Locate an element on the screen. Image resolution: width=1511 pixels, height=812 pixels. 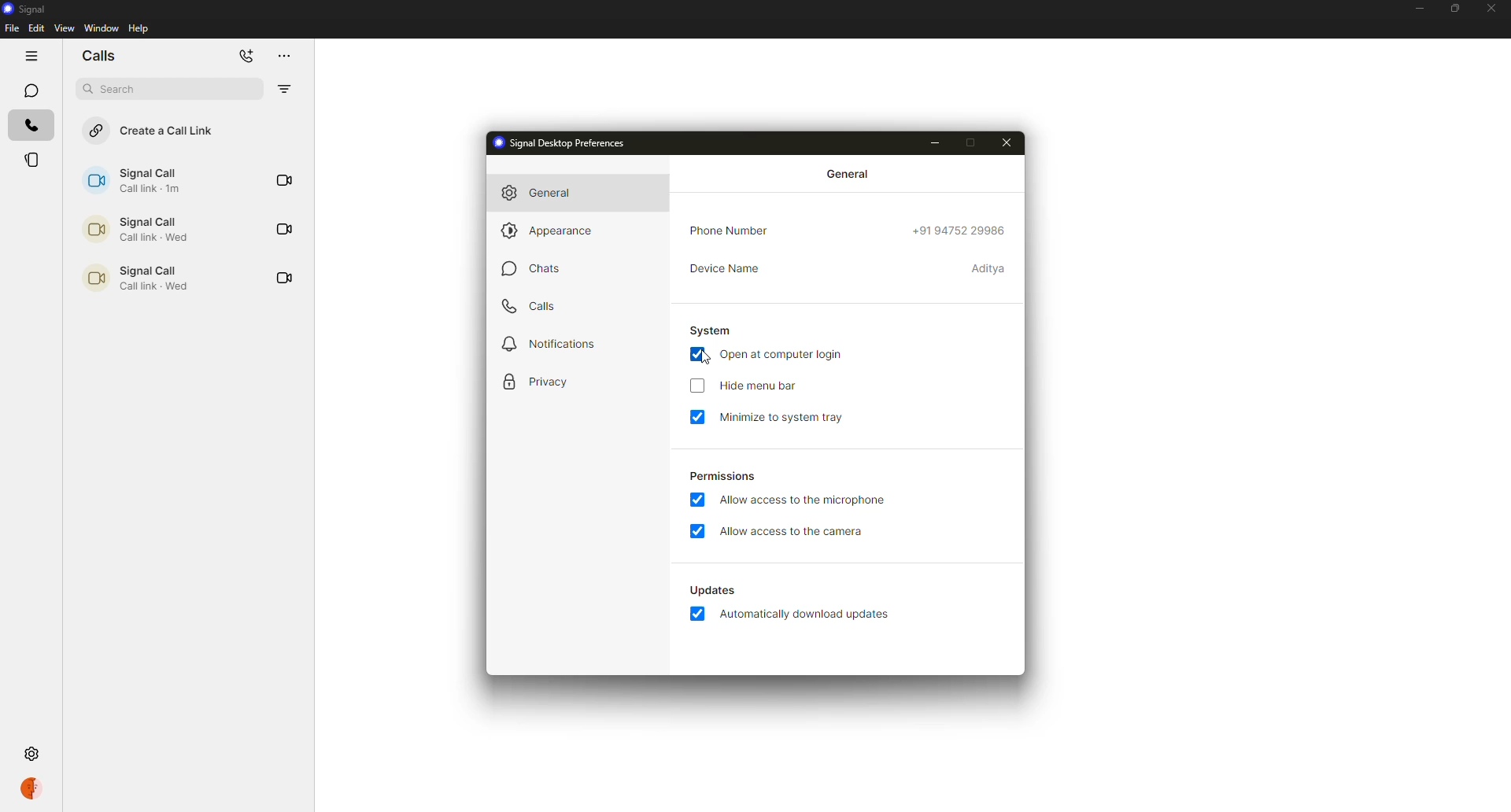
calls is located at coordinates (30, 124).